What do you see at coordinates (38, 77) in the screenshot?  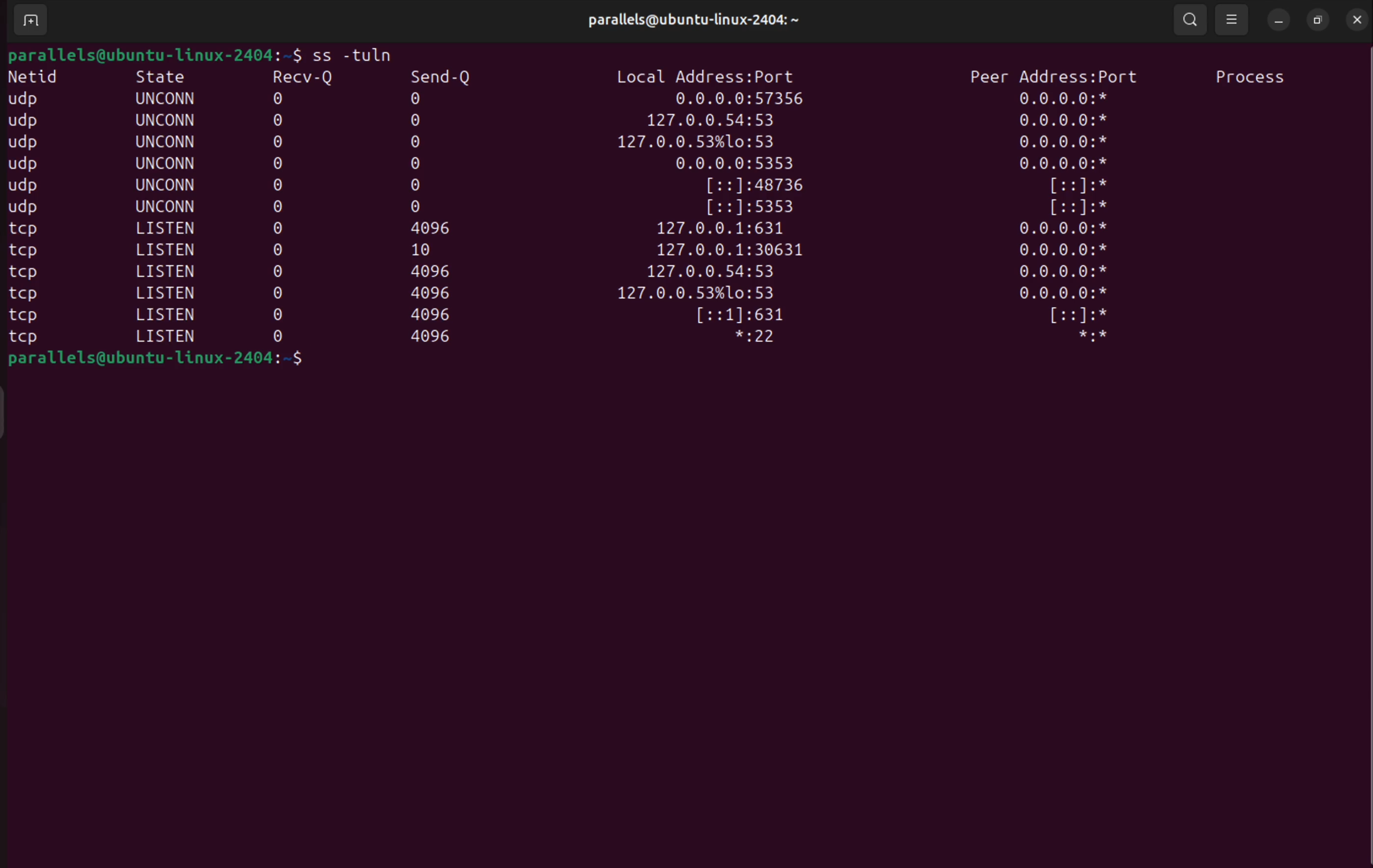 I see `net id` at bounding box center [38, 77].